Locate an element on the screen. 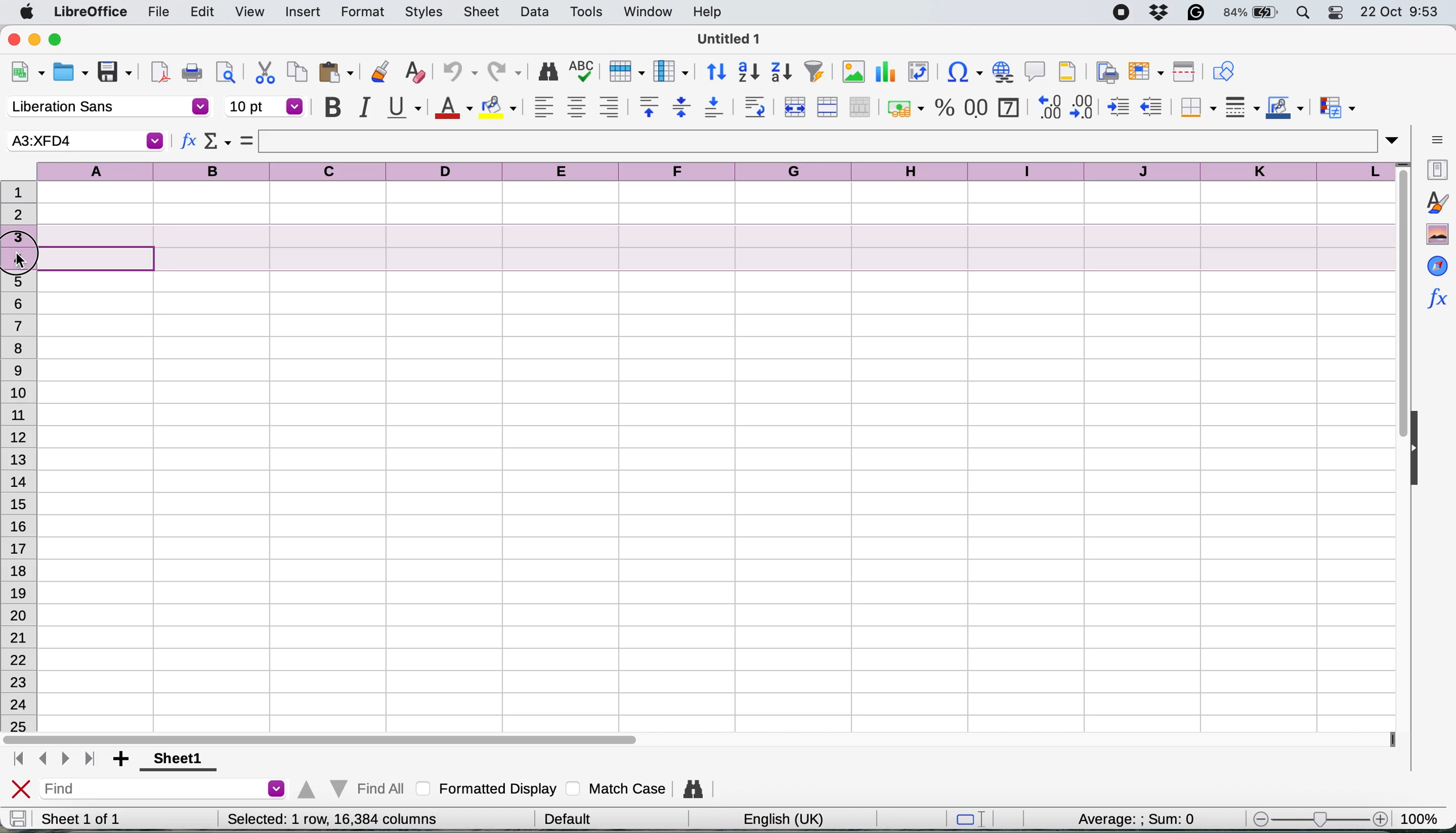  undo is located at coordinates (455, 73).